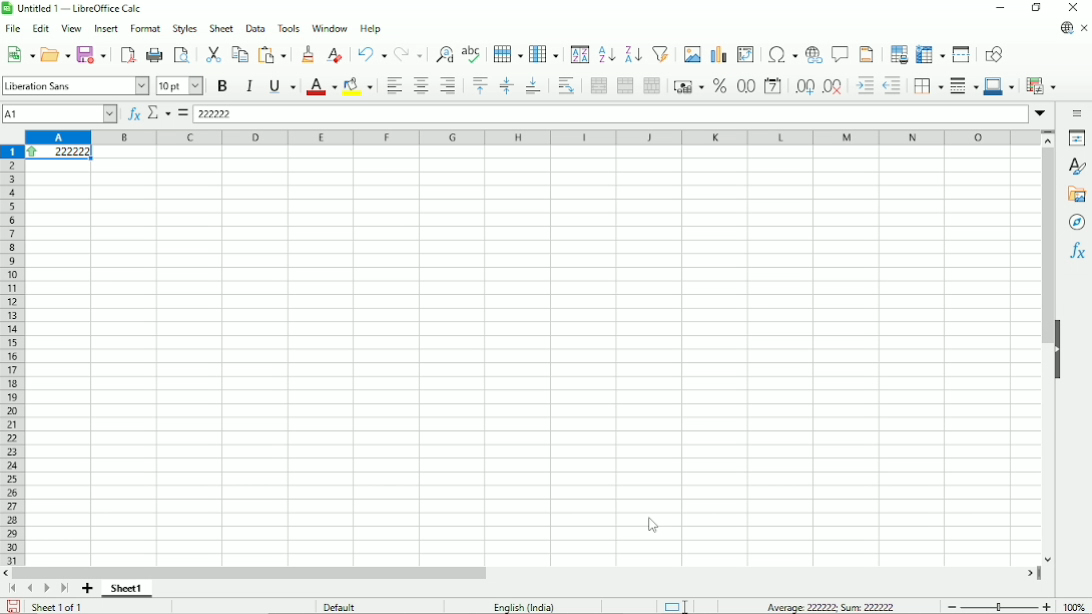 Image resolution: width=1092 pixels, height=614 pixels. What do you see at coordinates (1077, 252) in the screenshot?
I see `Functions` at bounding box center [1077, 252].